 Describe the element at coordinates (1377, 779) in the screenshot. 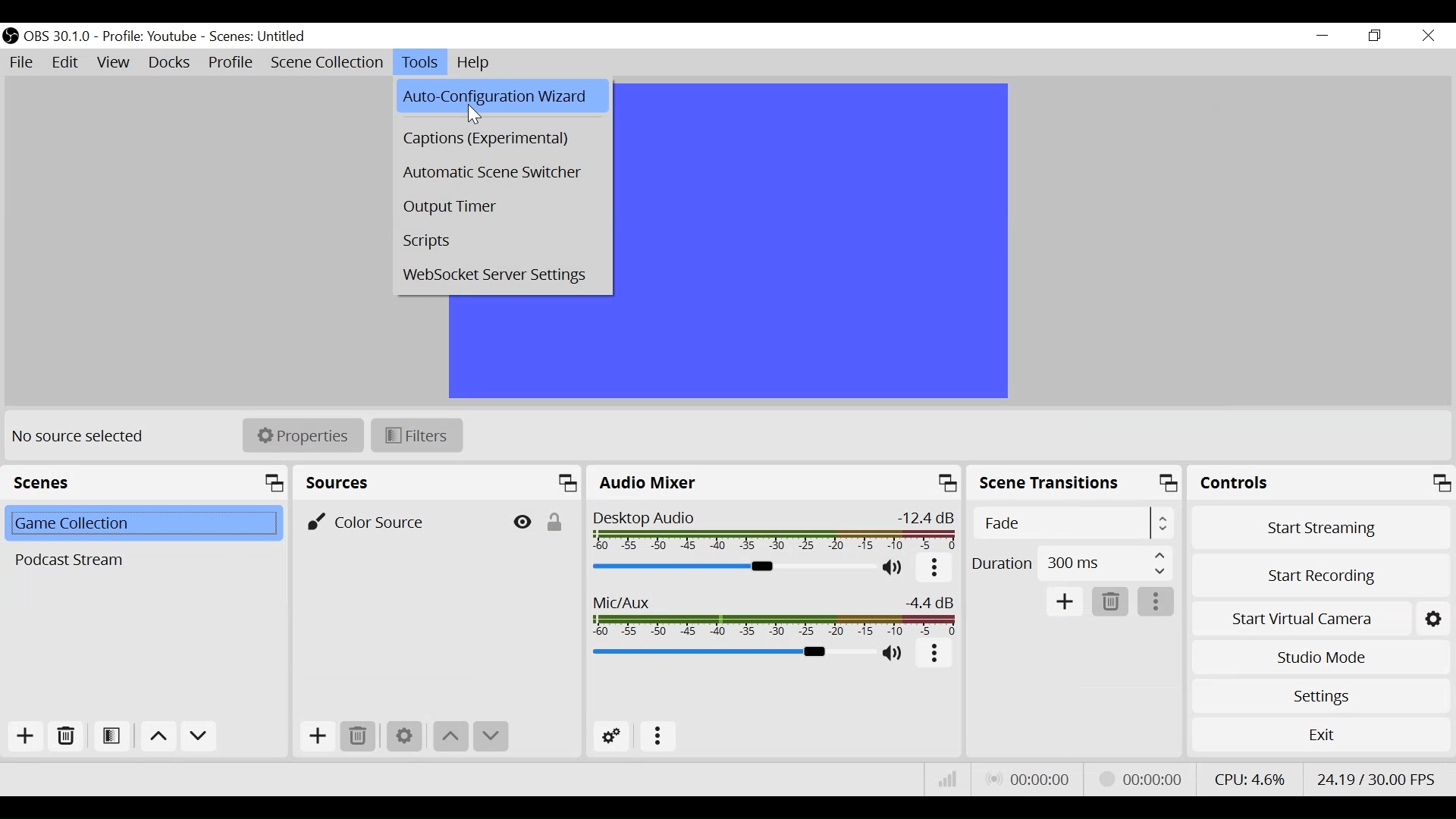

I see `Frame Per Second` at that location.